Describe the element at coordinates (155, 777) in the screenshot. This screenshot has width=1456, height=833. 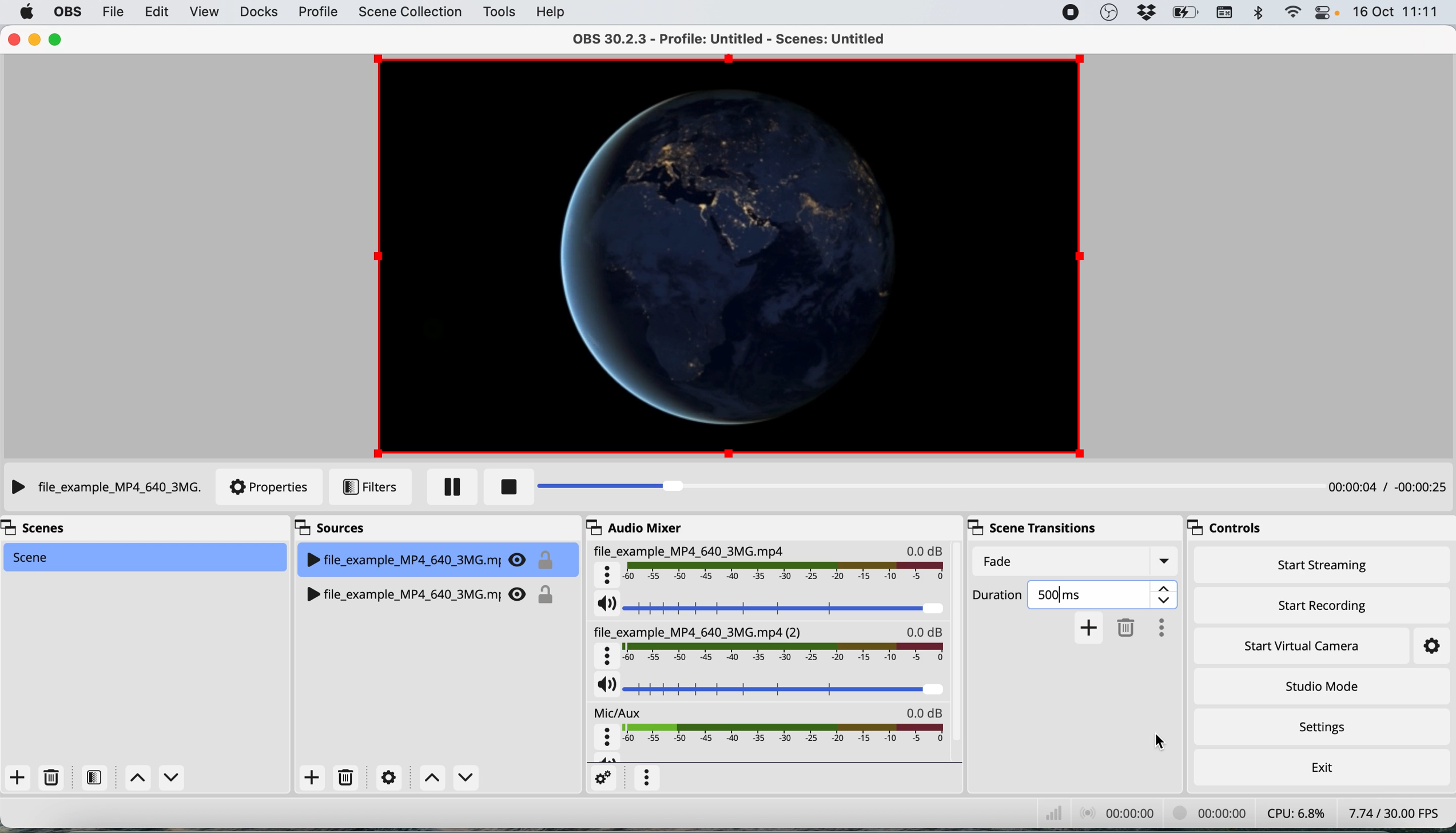
I see `switch between scenes` at that location.